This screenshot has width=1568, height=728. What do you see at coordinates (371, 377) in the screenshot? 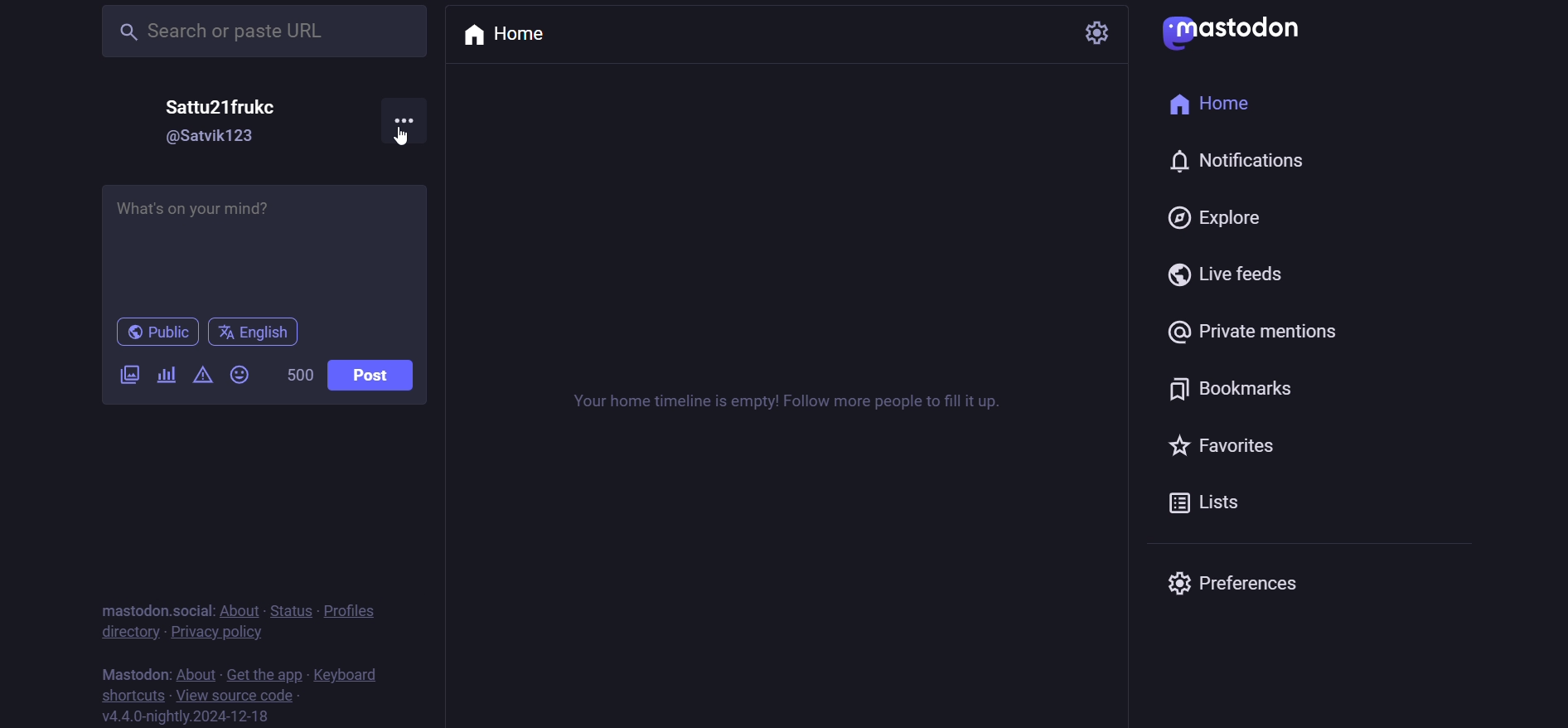
I see `post` at bounding box center [371, 377].